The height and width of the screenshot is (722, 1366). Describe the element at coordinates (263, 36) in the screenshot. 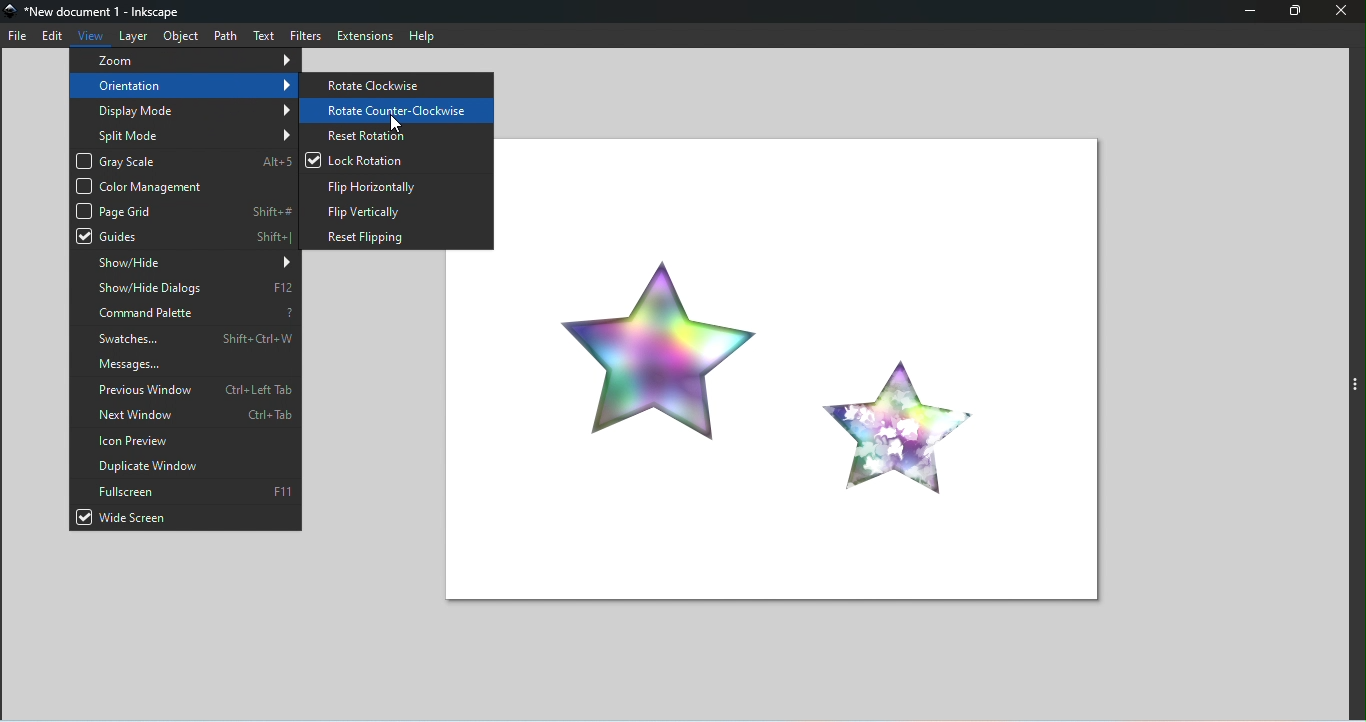

I see `Text` at that location.